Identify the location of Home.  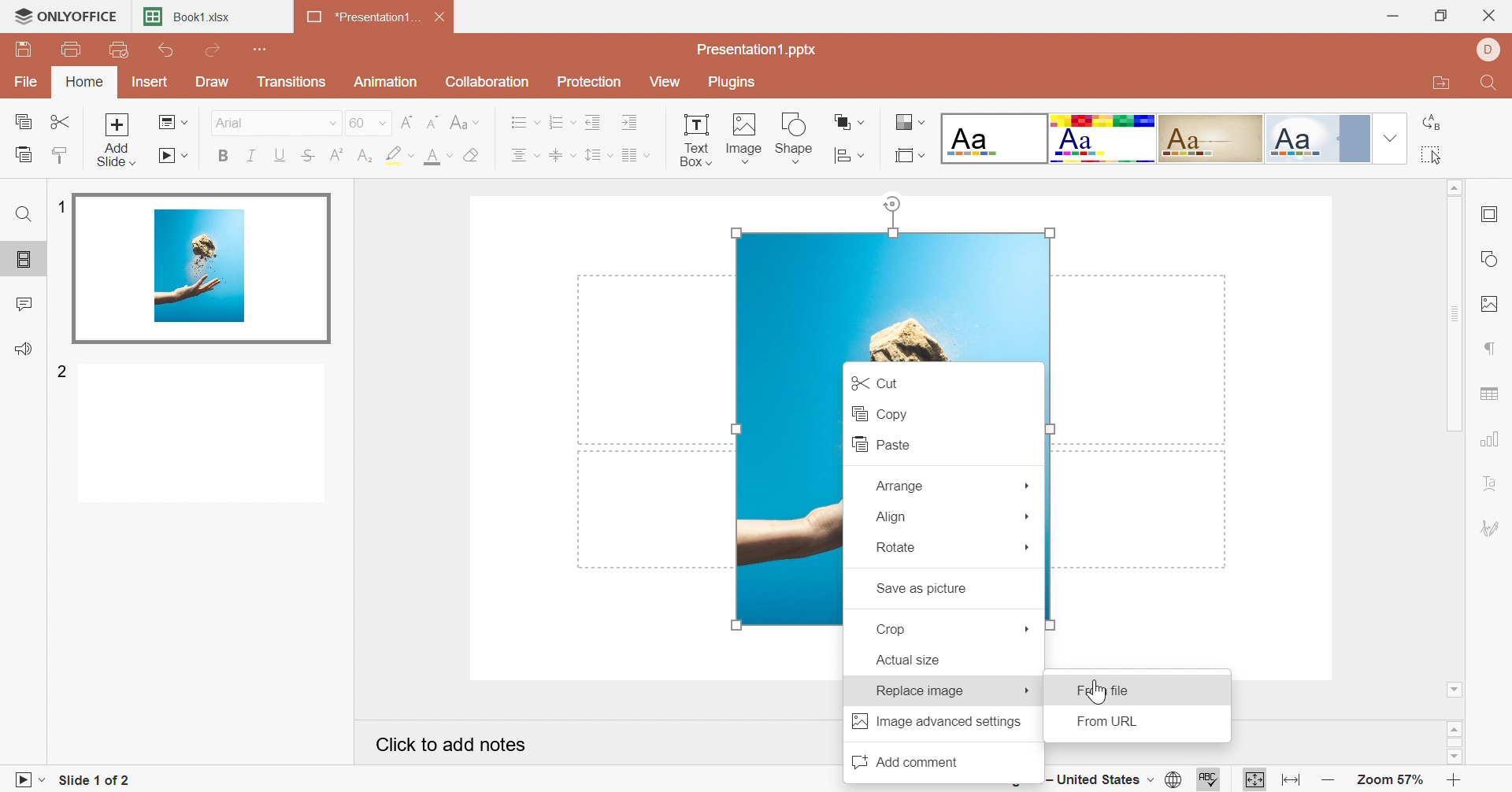
(86, 83).